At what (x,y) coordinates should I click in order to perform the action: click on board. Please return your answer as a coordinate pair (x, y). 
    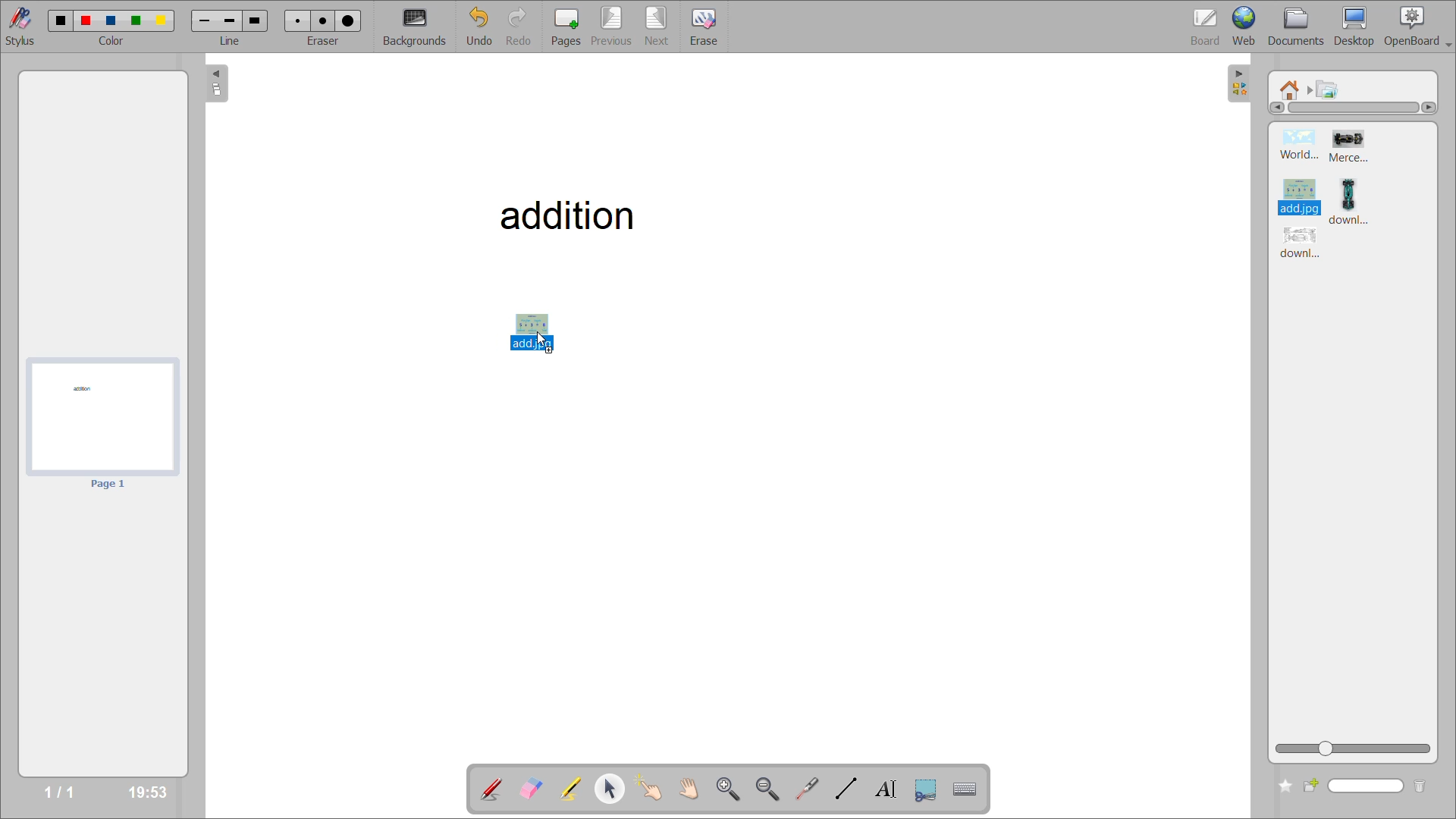
    Looking at the image, I should click on (1207, 27).